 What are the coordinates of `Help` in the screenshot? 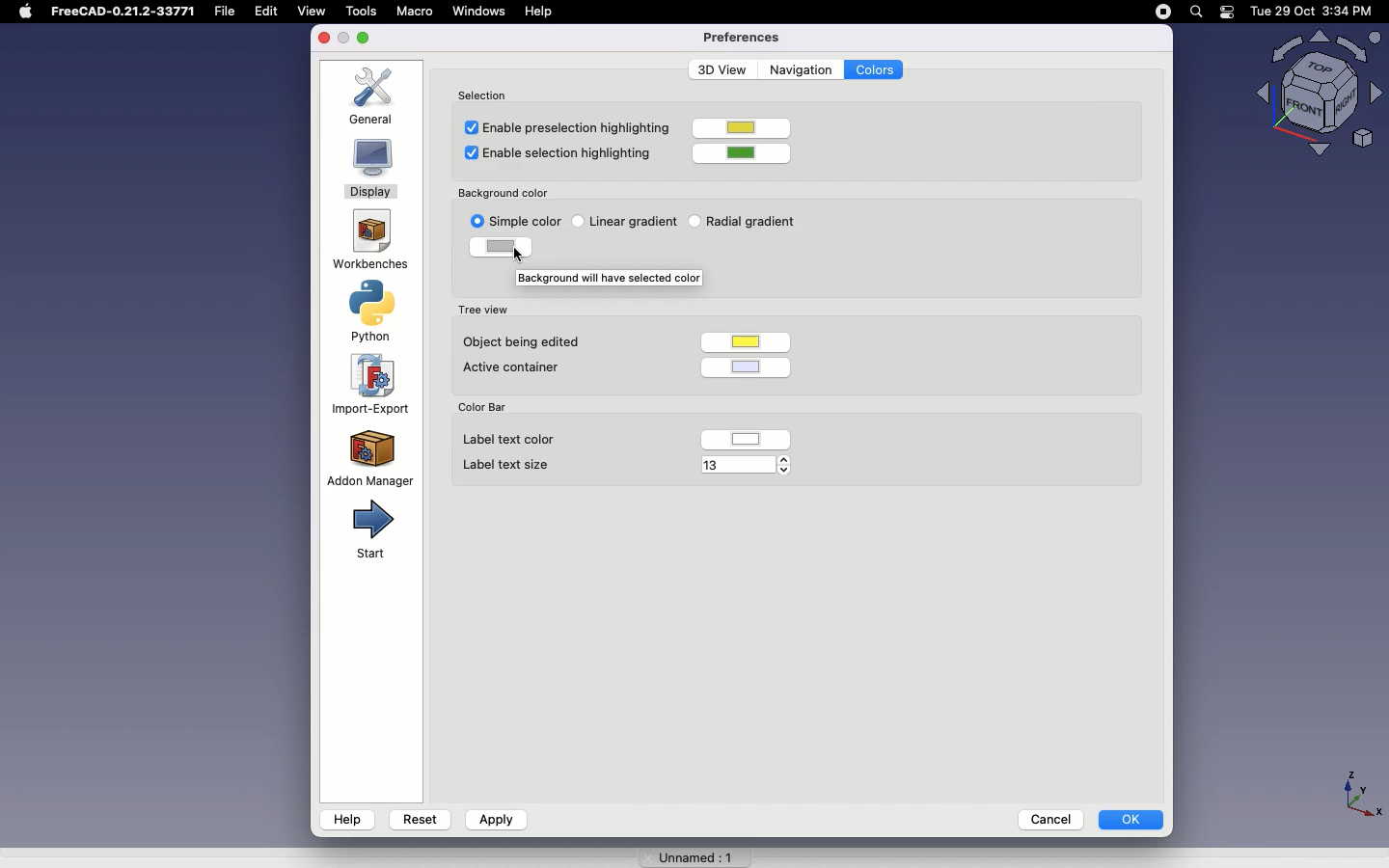 It's located at (347, 819).